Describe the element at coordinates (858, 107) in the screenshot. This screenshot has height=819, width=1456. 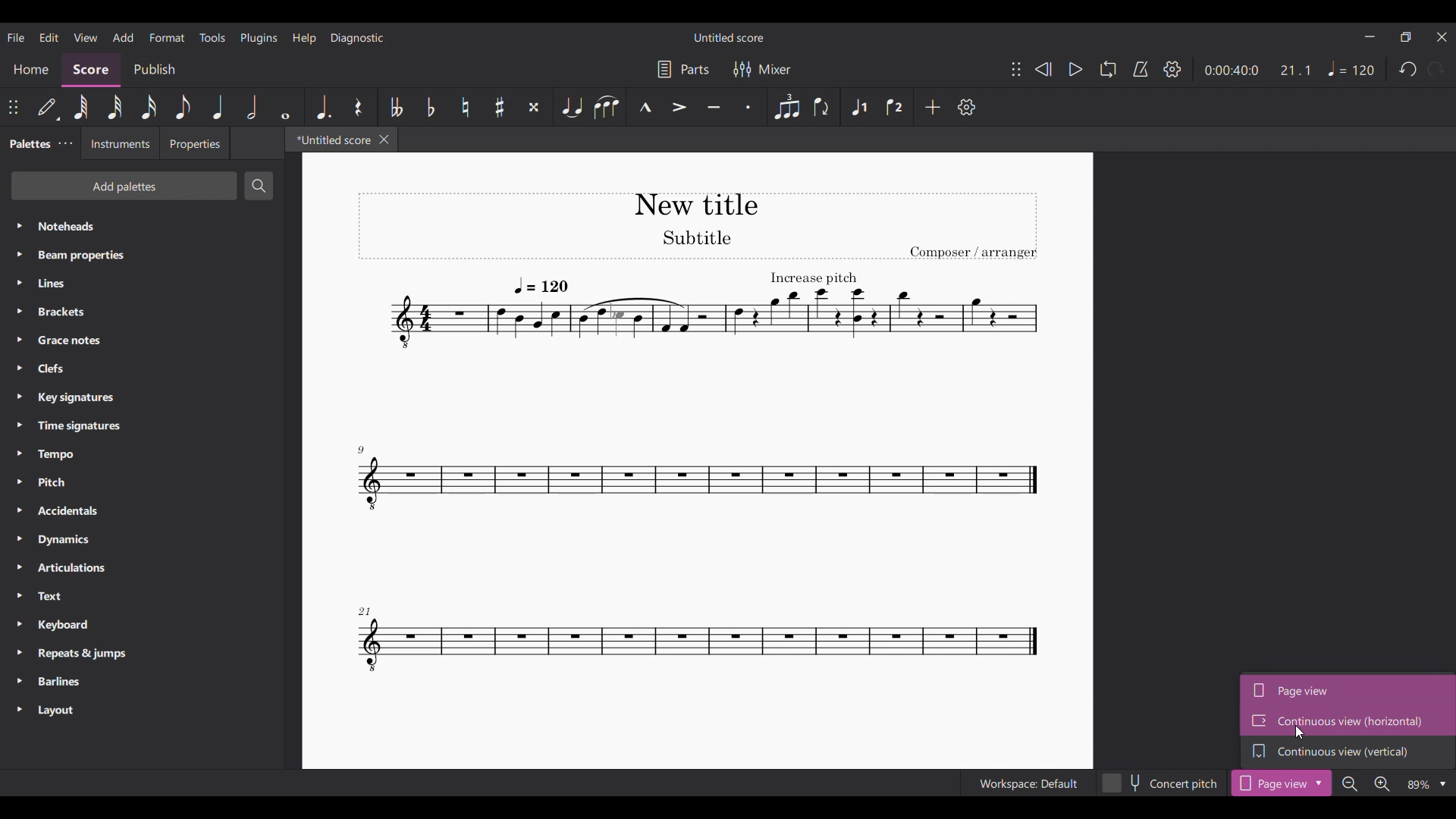
I see `Voice 1` at that location.